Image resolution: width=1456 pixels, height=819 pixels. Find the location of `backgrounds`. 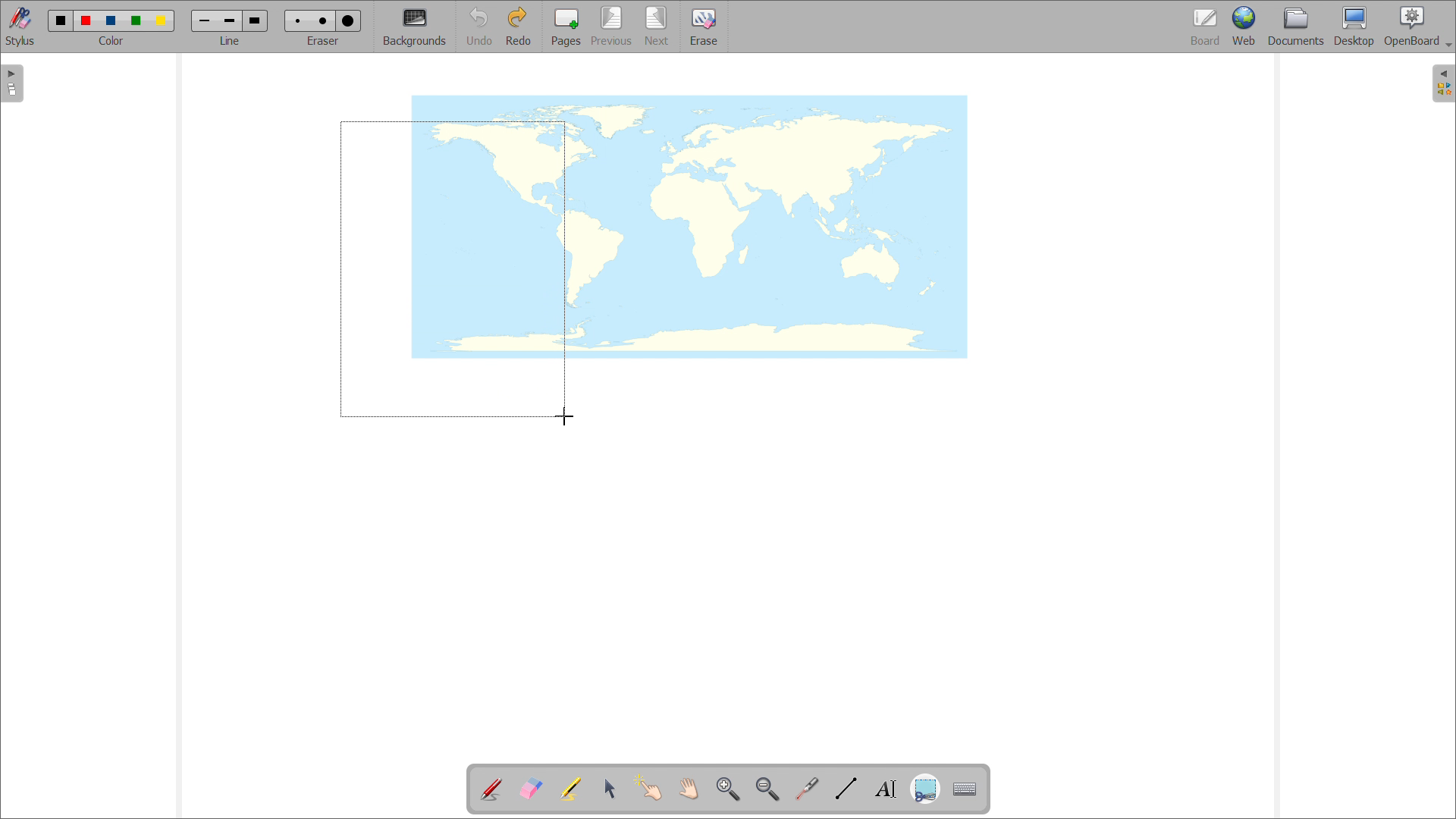

backgrounds is located at coordinates (415, 27).